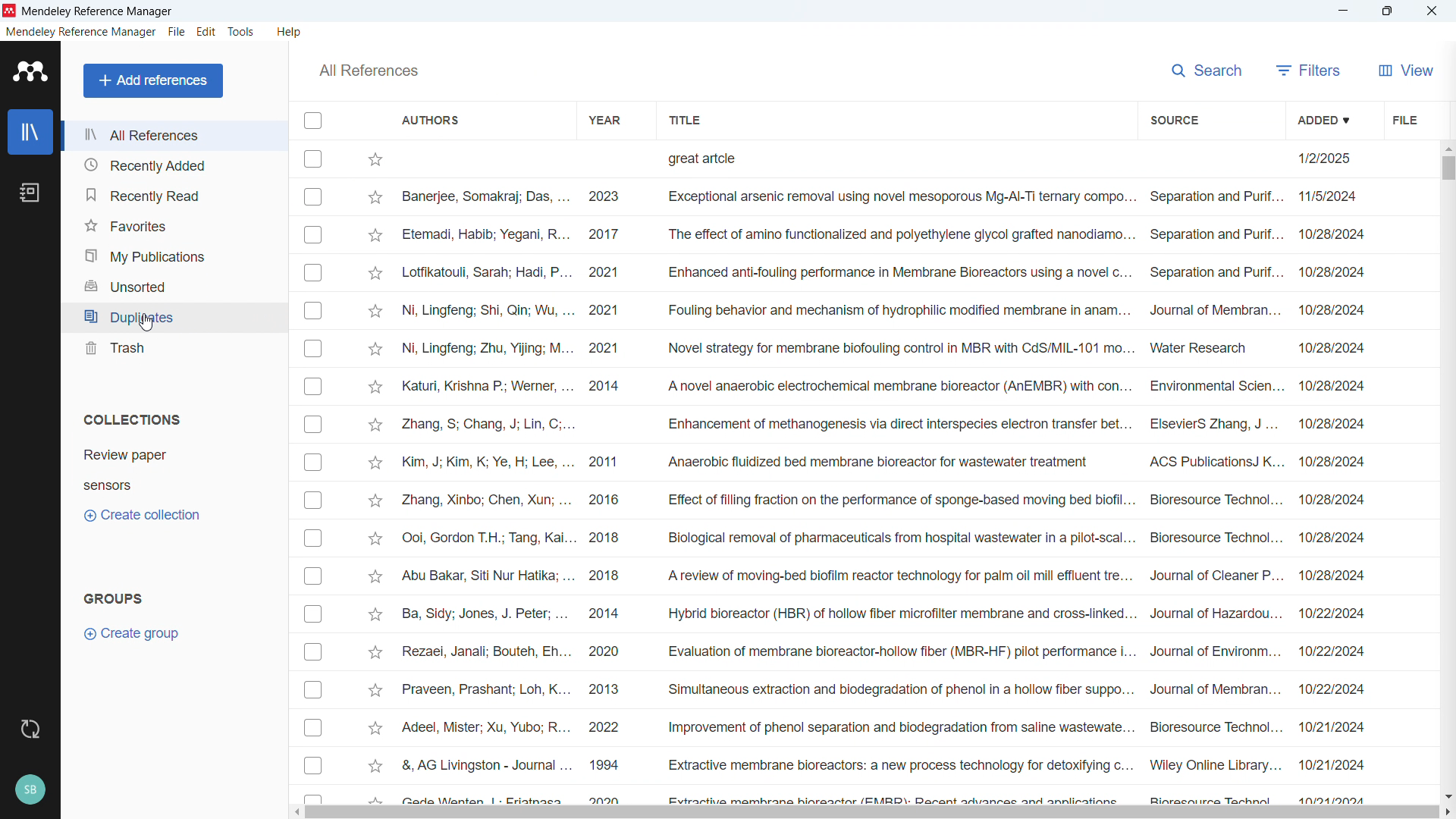 The image size is (1456, 819). I want to click on Add reference , so click(152, 80).